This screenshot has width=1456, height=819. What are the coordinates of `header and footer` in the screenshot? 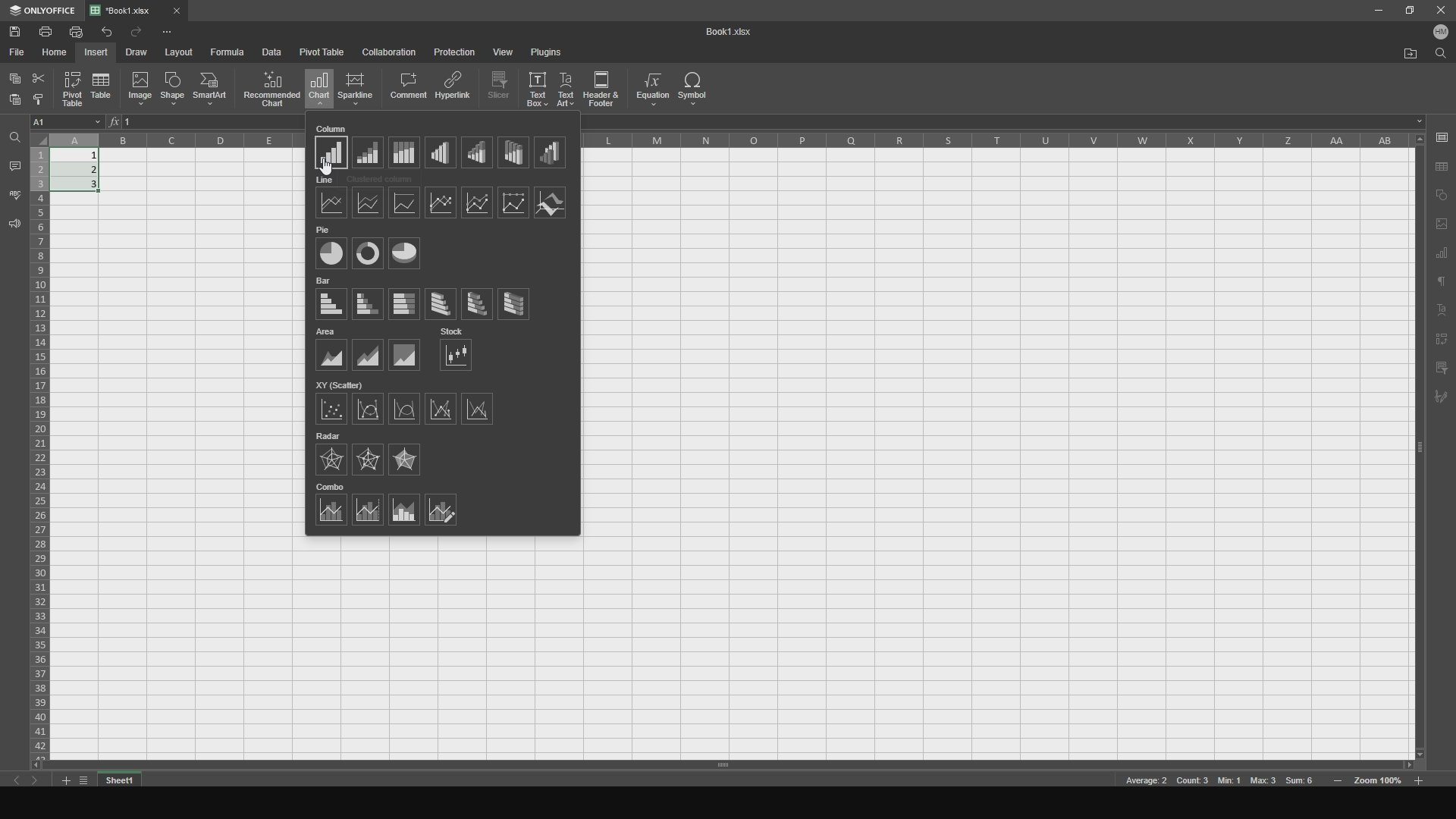 It's located at (602, 88).